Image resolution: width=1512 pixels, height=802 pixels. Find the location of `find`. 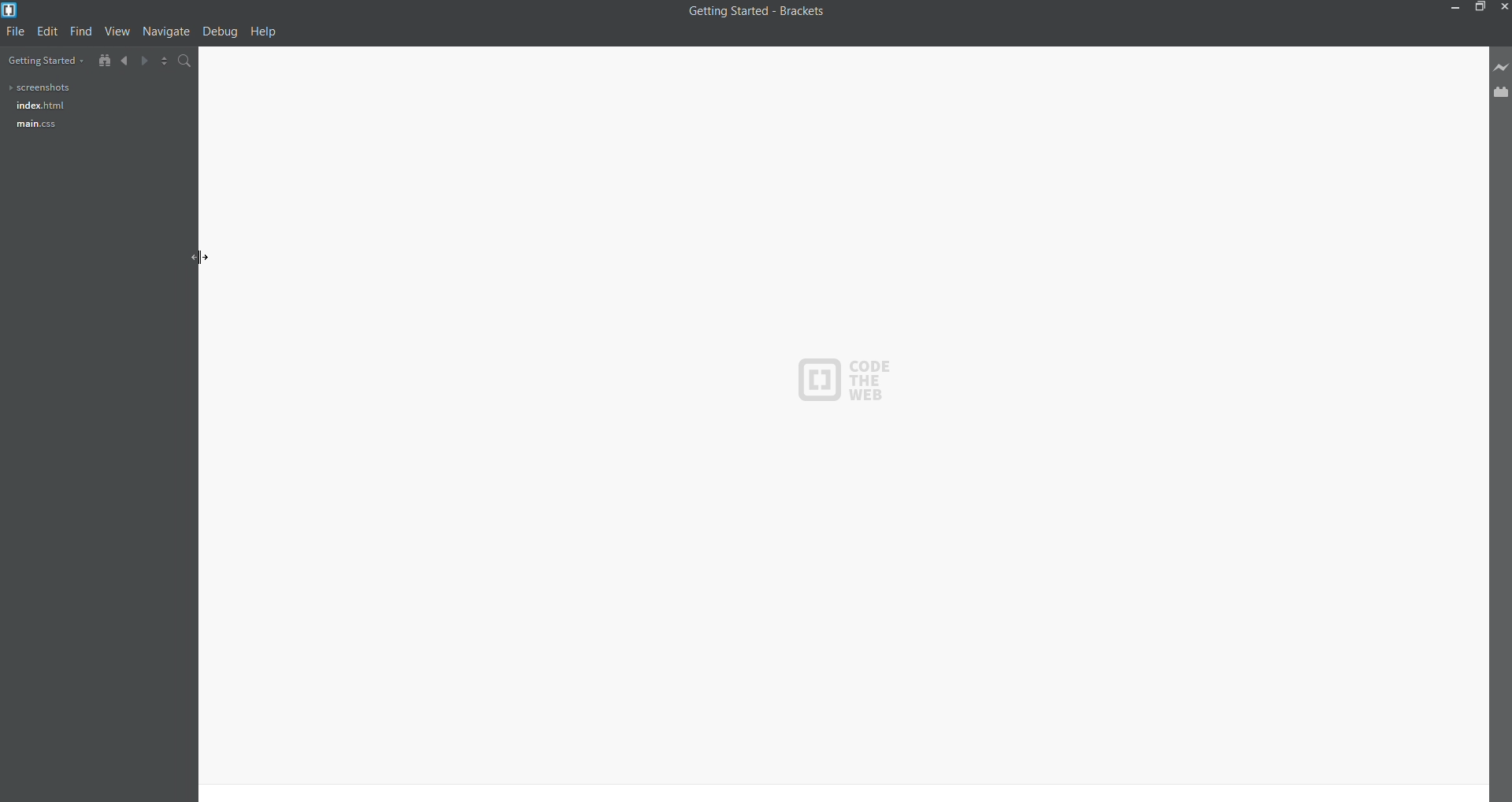

find is located at coordinates (79, 31).